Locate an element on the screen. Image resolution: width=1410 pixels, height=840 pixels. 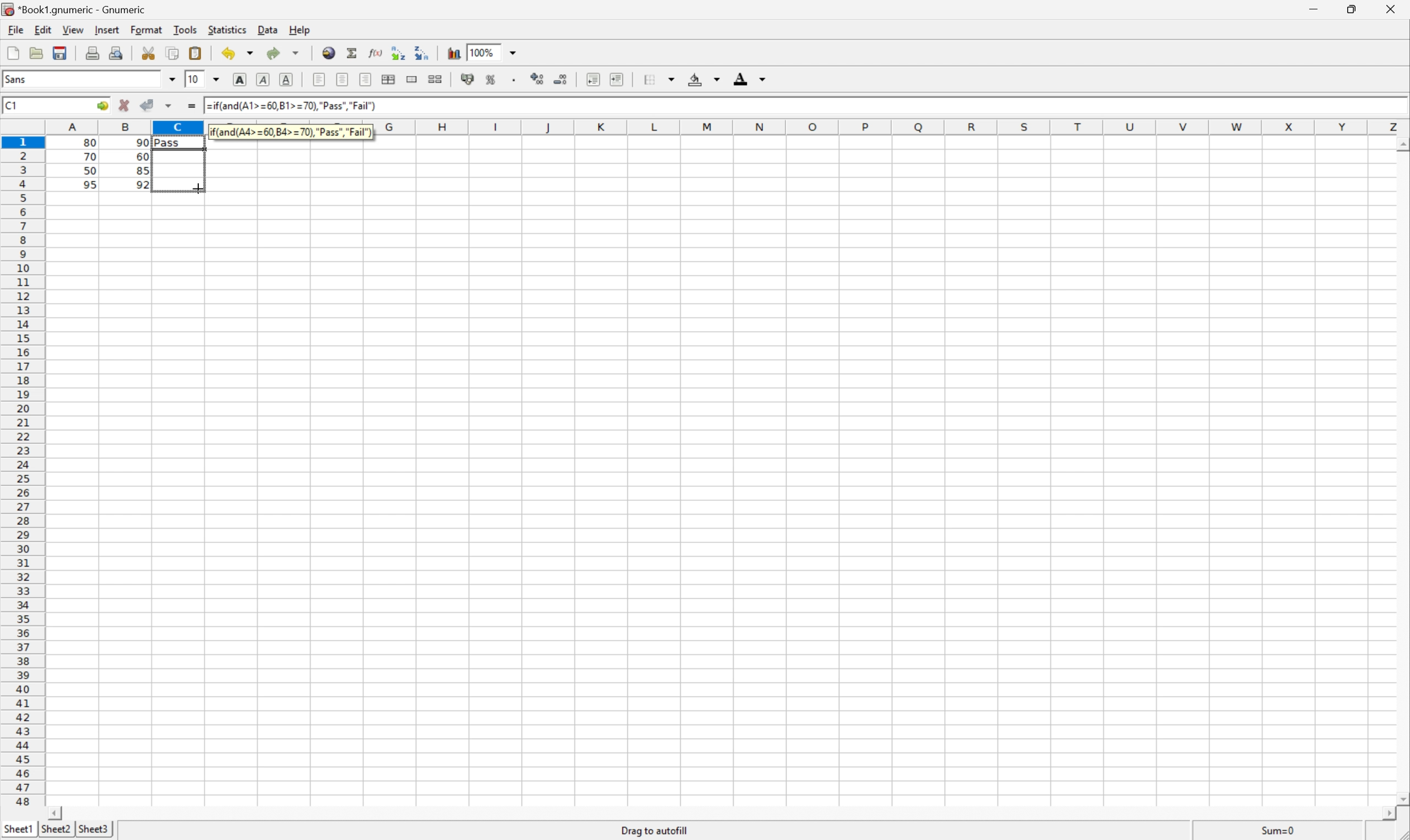
Italic is located at coordinates (264, 79).